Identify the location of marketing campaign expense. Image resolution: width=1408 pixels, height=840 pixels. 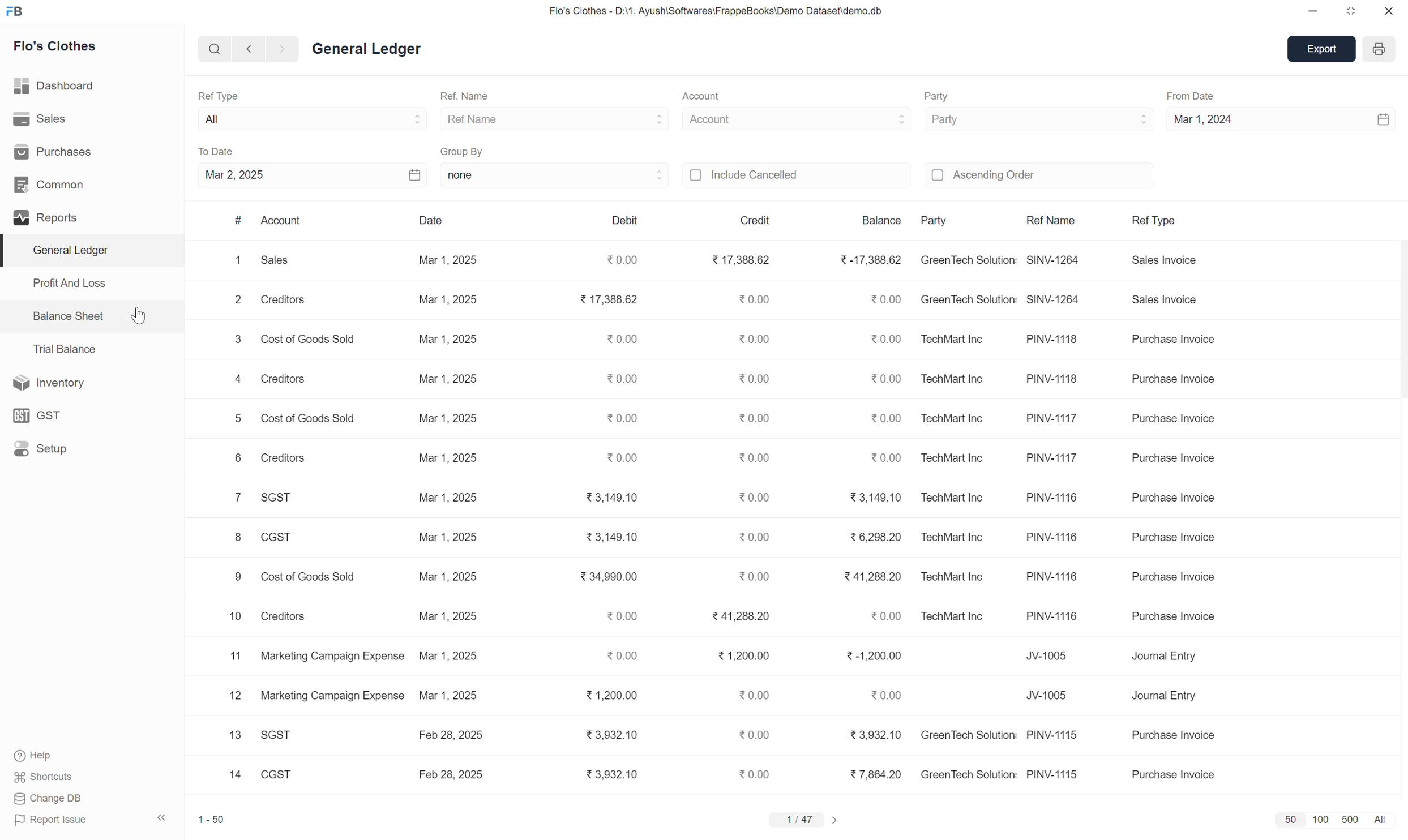
(331, 657).